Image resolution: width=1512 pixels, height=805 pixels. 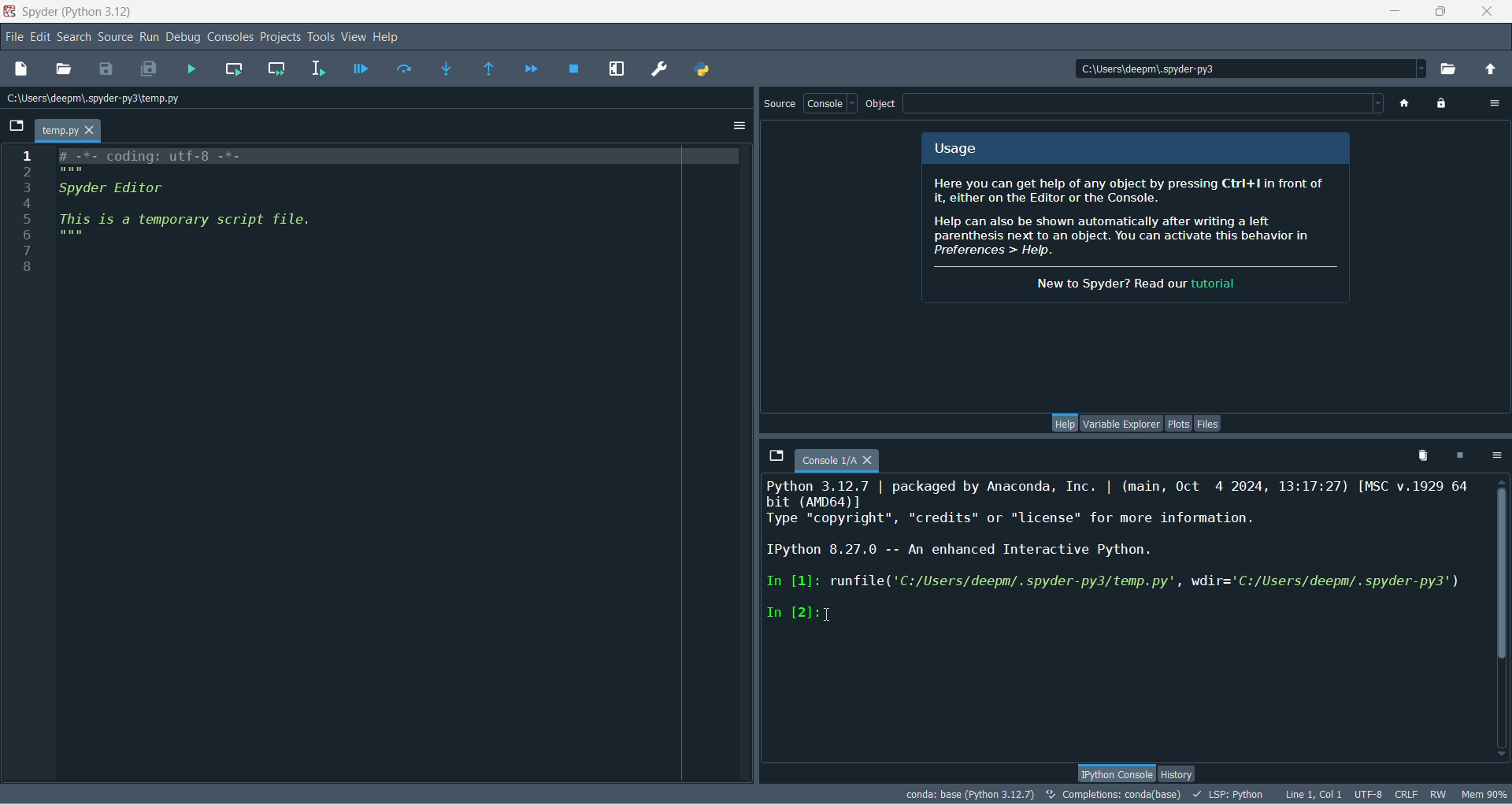 I want to click on remove, so click(x=1419, y=454).